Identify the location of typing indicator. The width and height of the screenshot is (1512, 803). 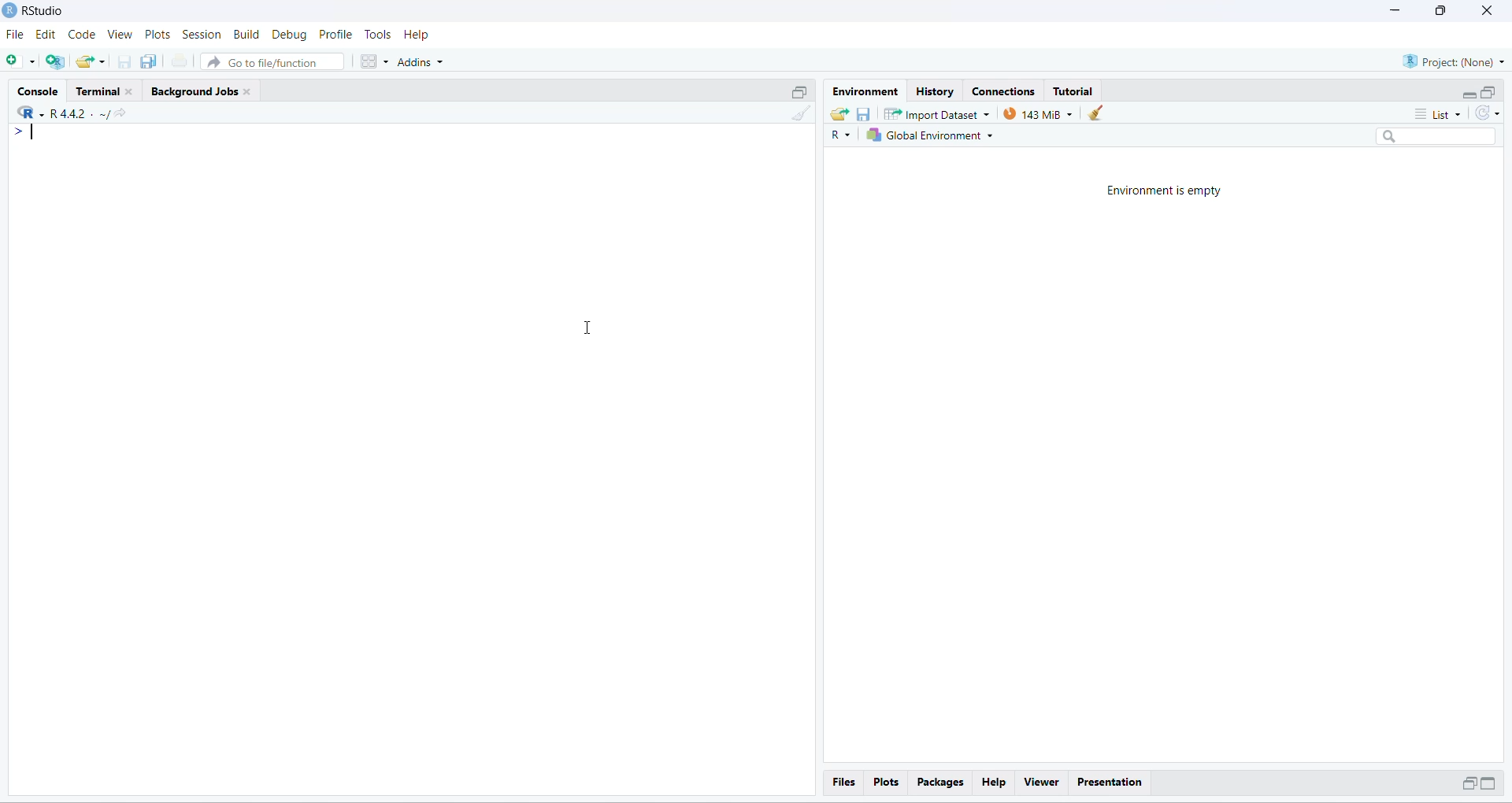
(35, 133).